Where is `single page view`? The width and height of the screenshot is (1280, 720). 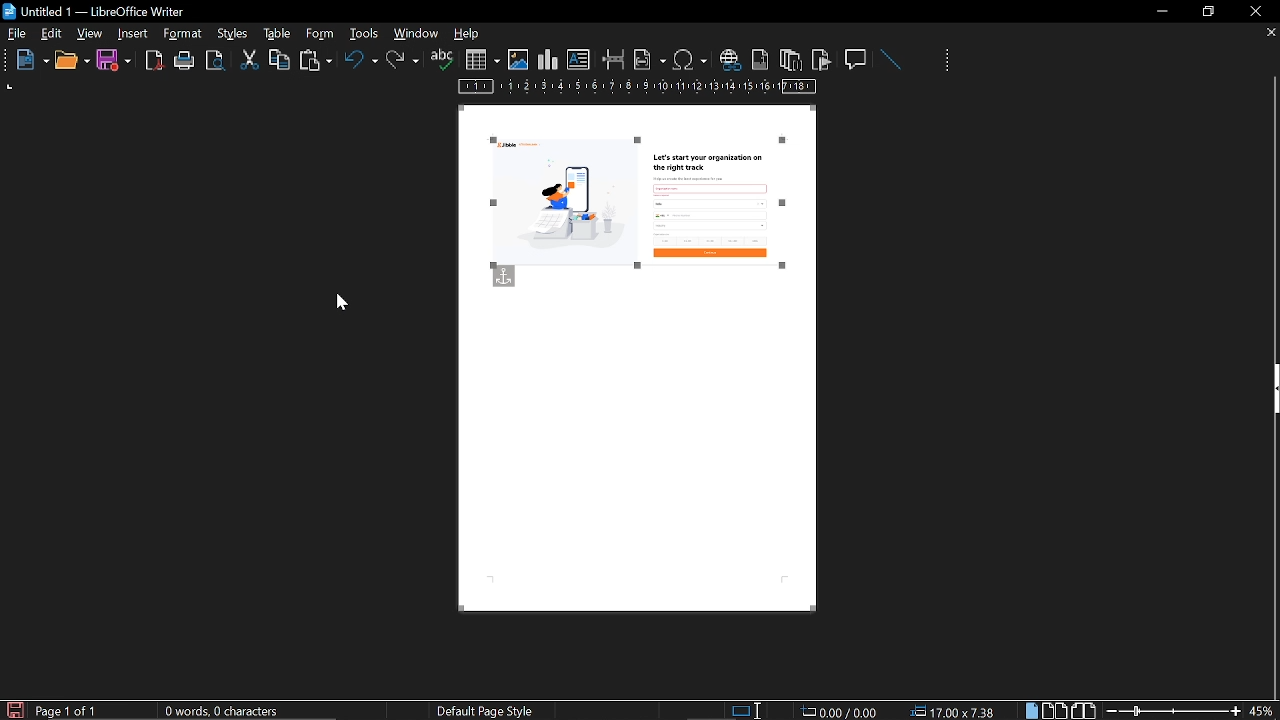 single page view is located at coordinates (1034, 710).